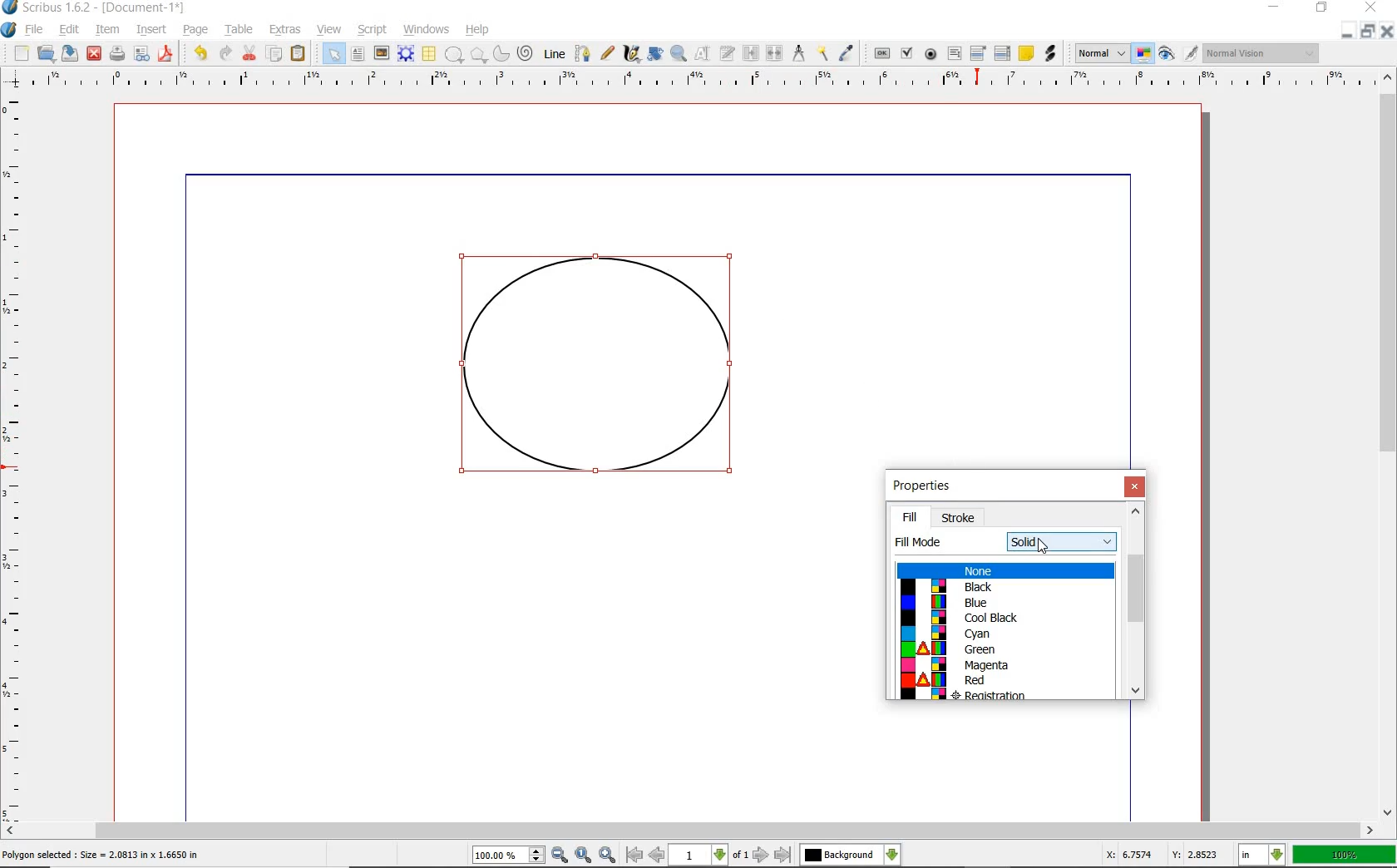 Image resolution: width=1397 pixels, height=868 pixels. I want to click on BEZIER CURVE, so click(583, 53).